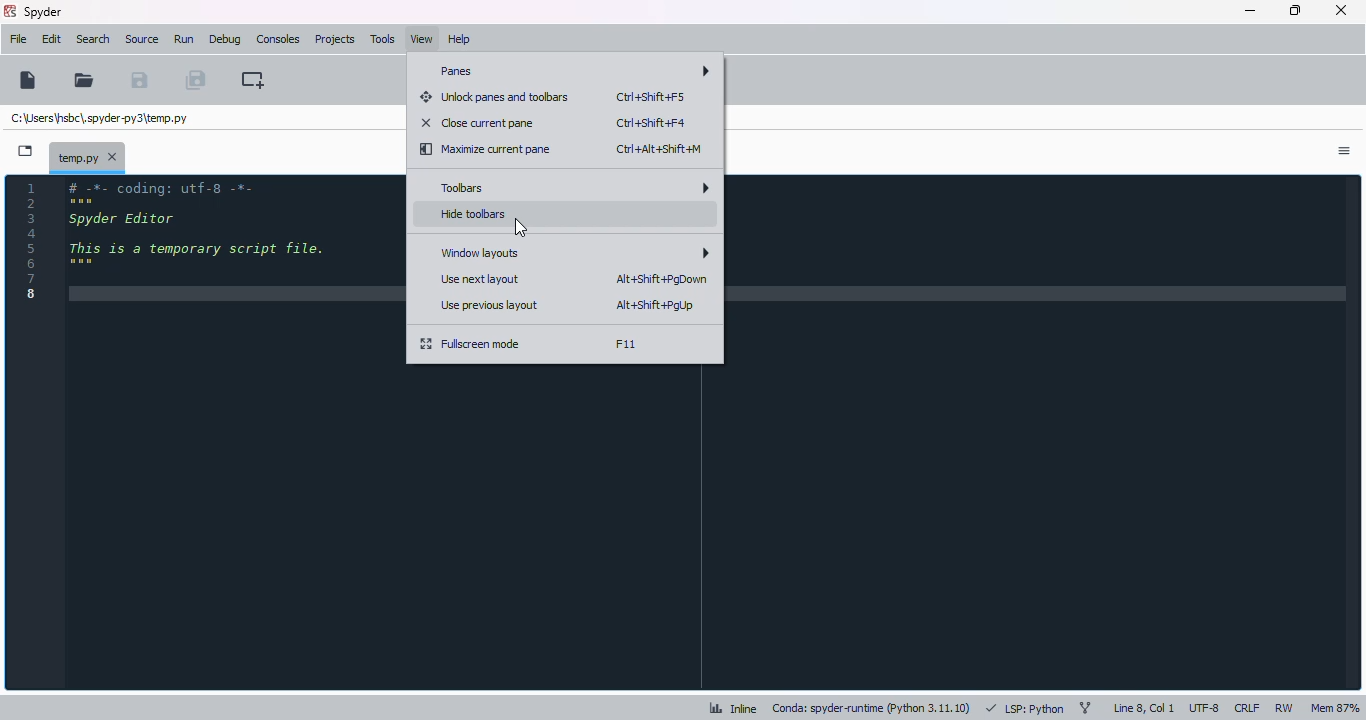 This screenshot has height=720, width=1366. Describe the element at coordinates (650, 97) in the screenshot. I see `shortcut for unlock panes and toolbars` at that location.